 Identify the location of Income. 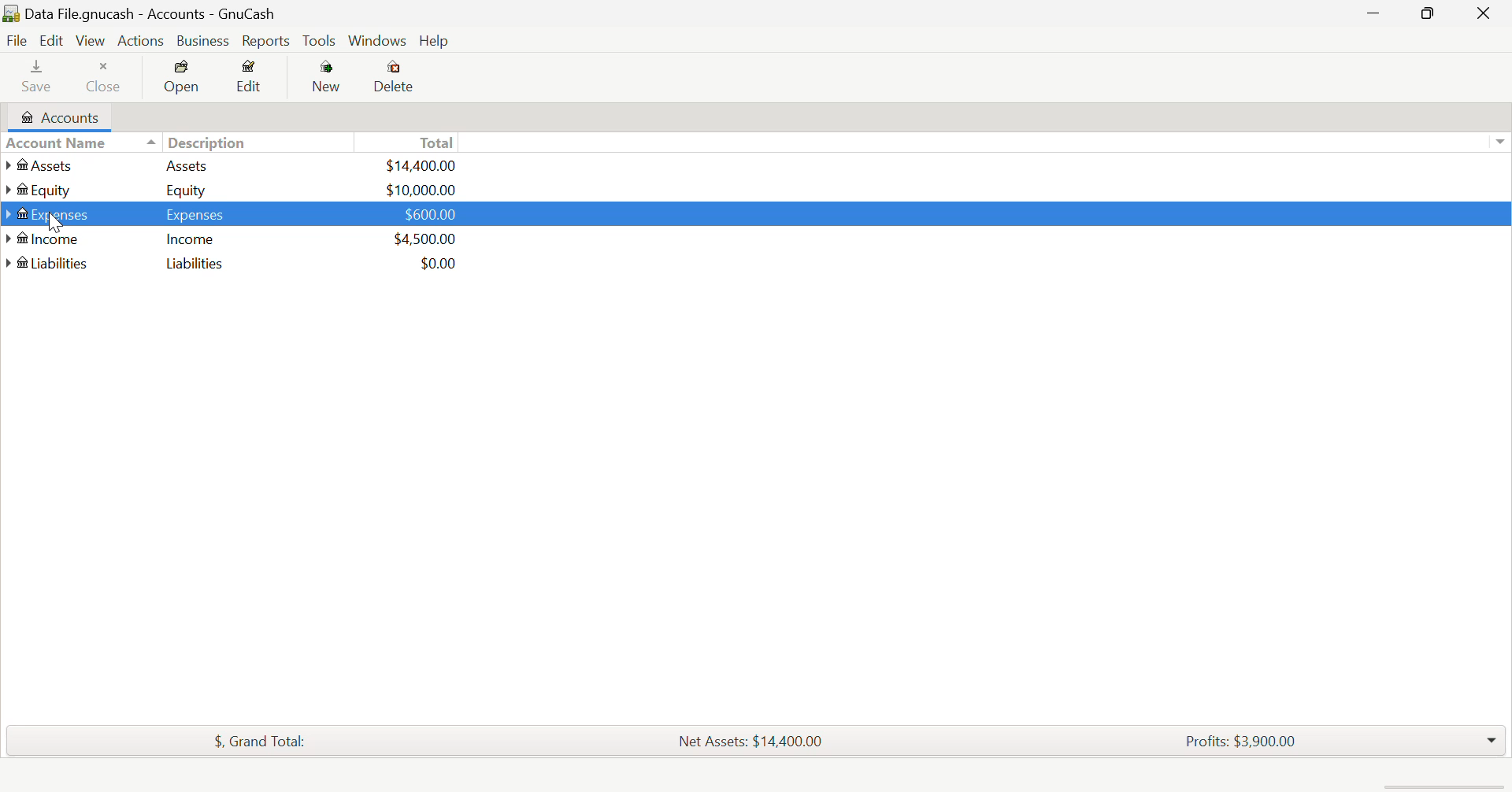
(192, 240).